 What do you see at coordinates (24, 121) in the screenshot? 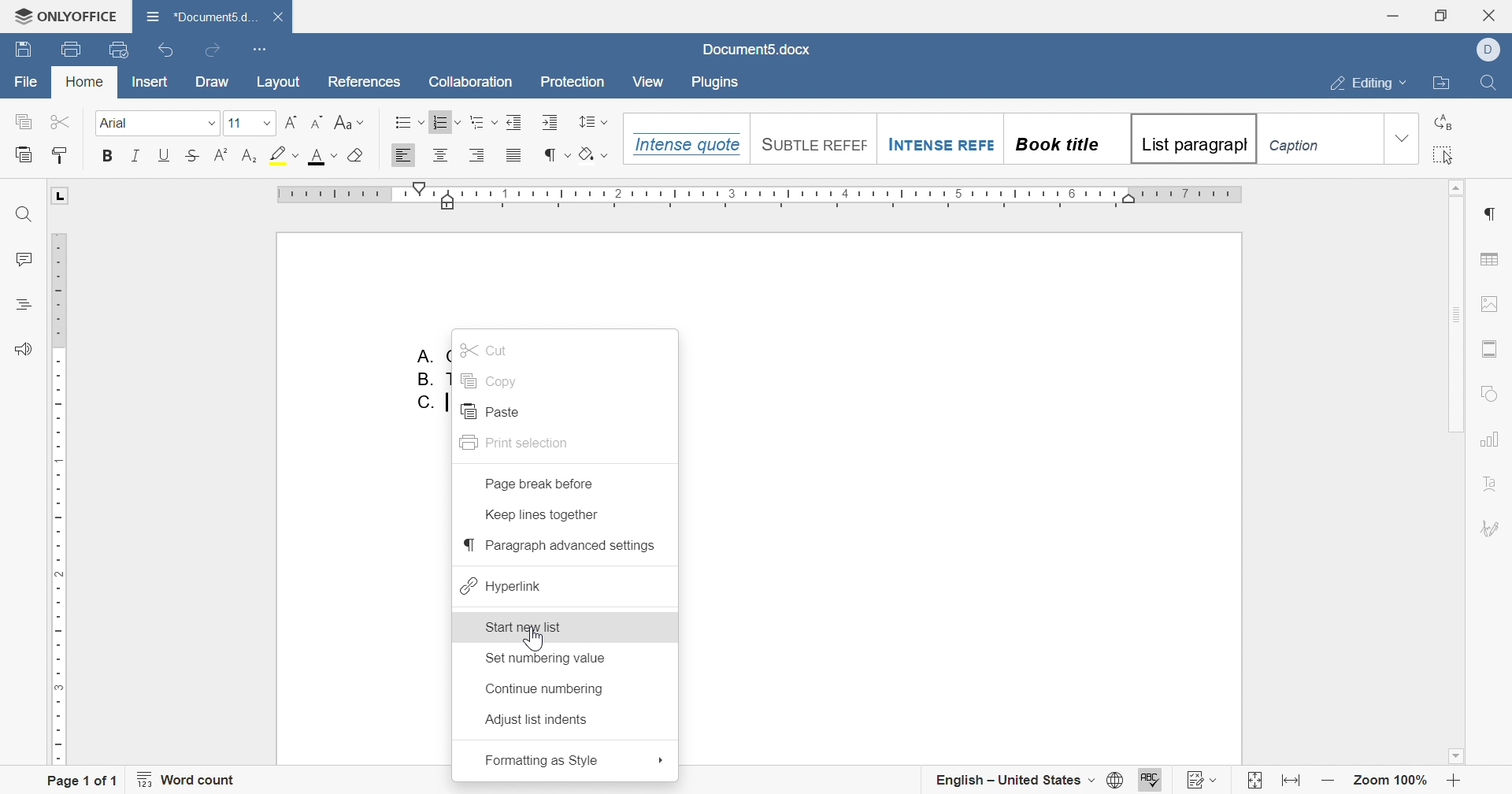
I see `copy` at bounding box center [24, 121].